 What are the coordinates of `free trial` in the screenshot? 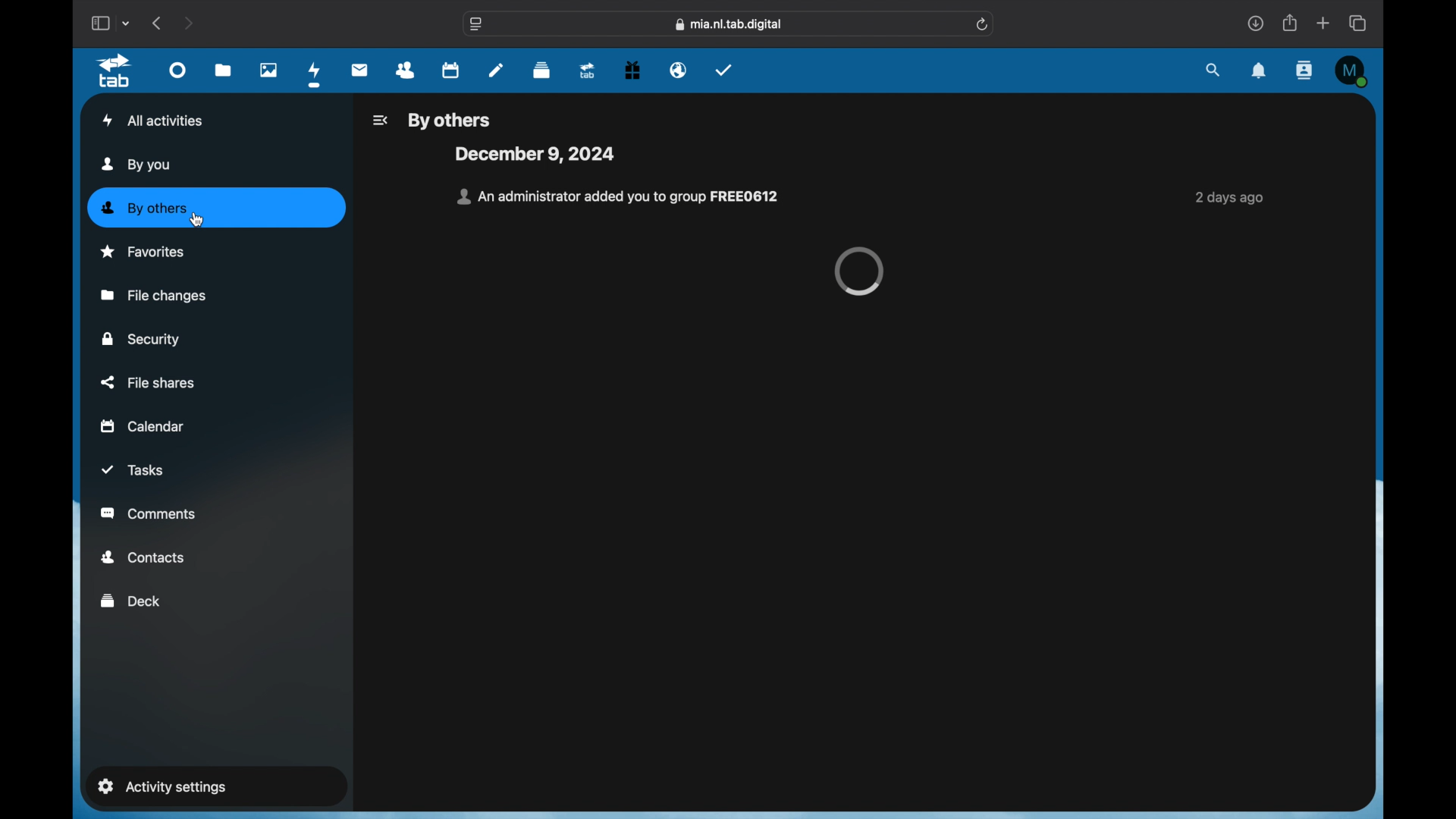 It's located at (633, 71).